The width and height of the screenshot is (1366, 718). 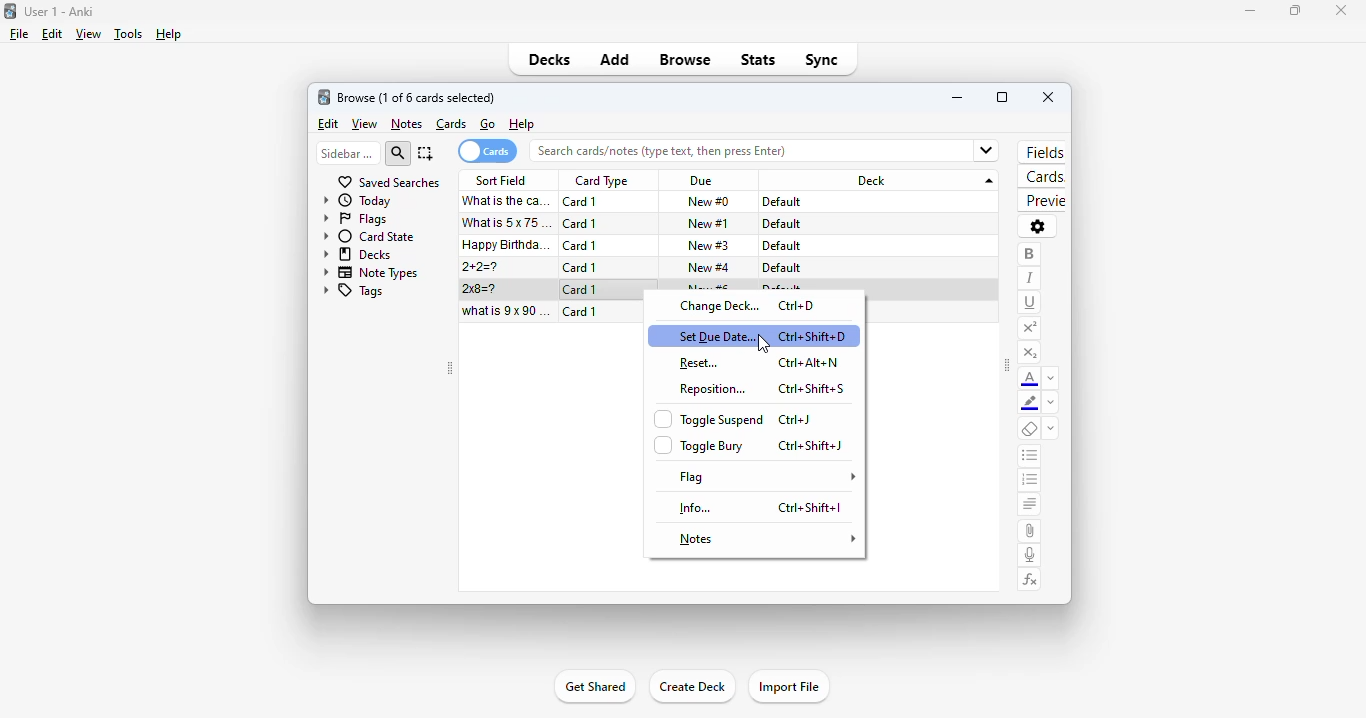 I want to click on unordered list, so click(x=1030, y=457).